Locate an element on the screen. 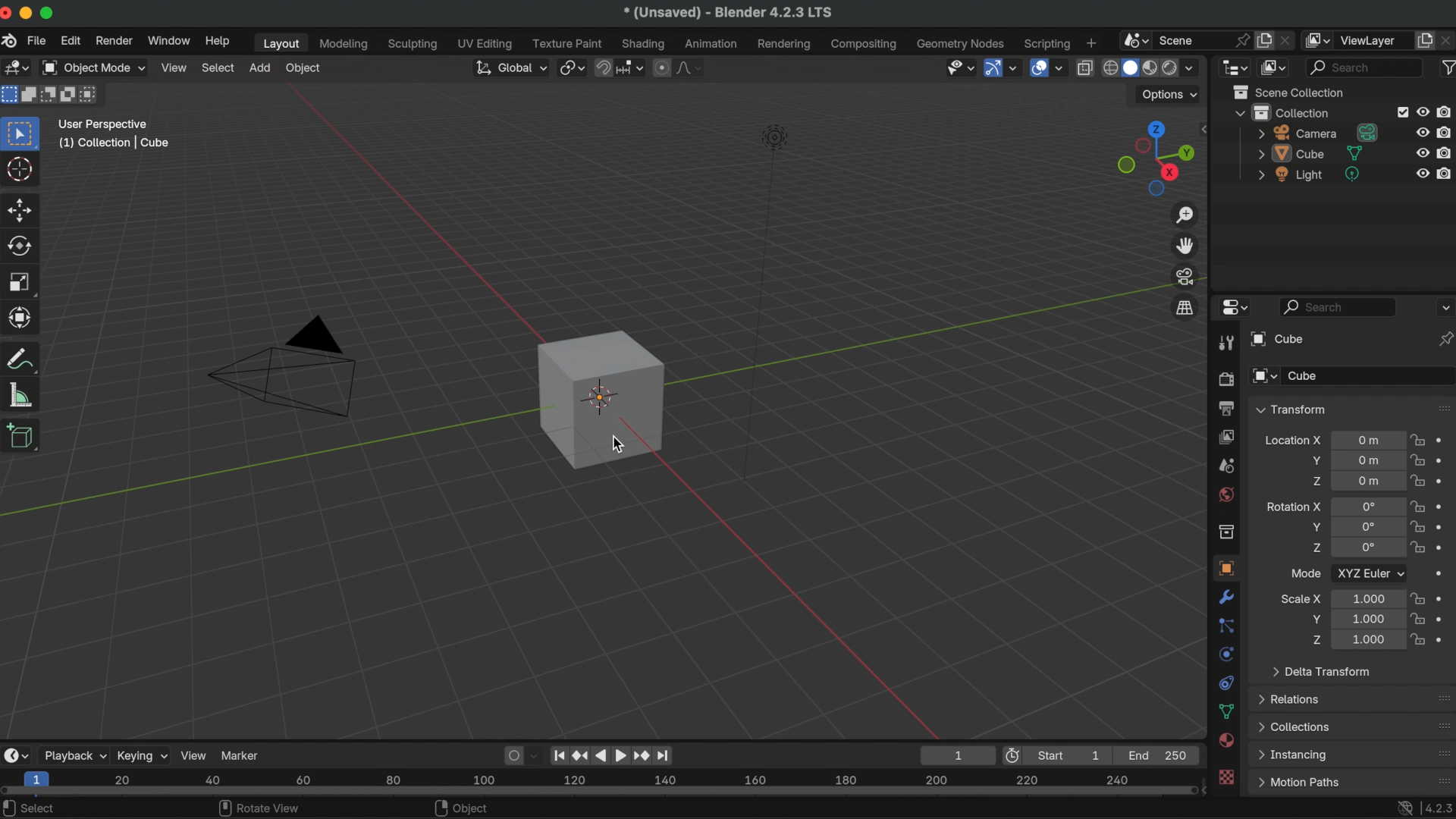 Image resolution: width=1456 pixels, height=819 pixels. sculpting is located at coordinates (413, 45).